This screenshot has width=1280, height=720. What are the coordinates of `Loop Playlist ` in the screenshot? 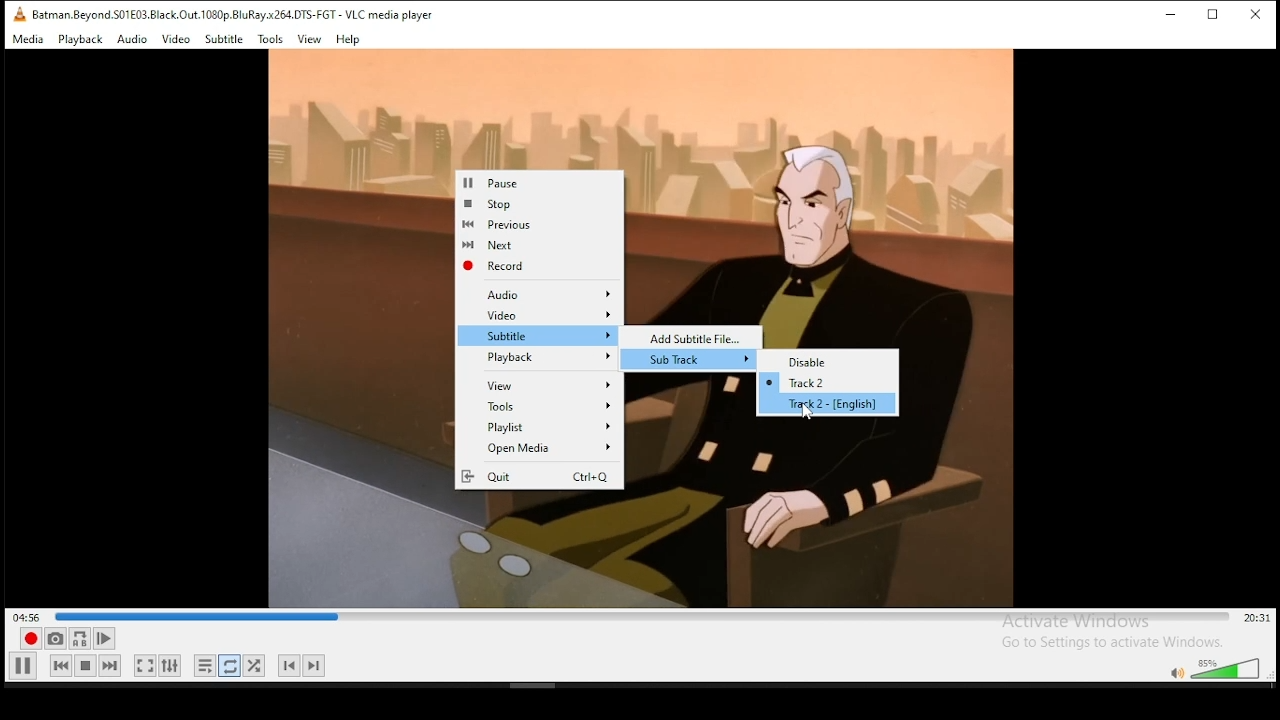 It's located at (206, 668).